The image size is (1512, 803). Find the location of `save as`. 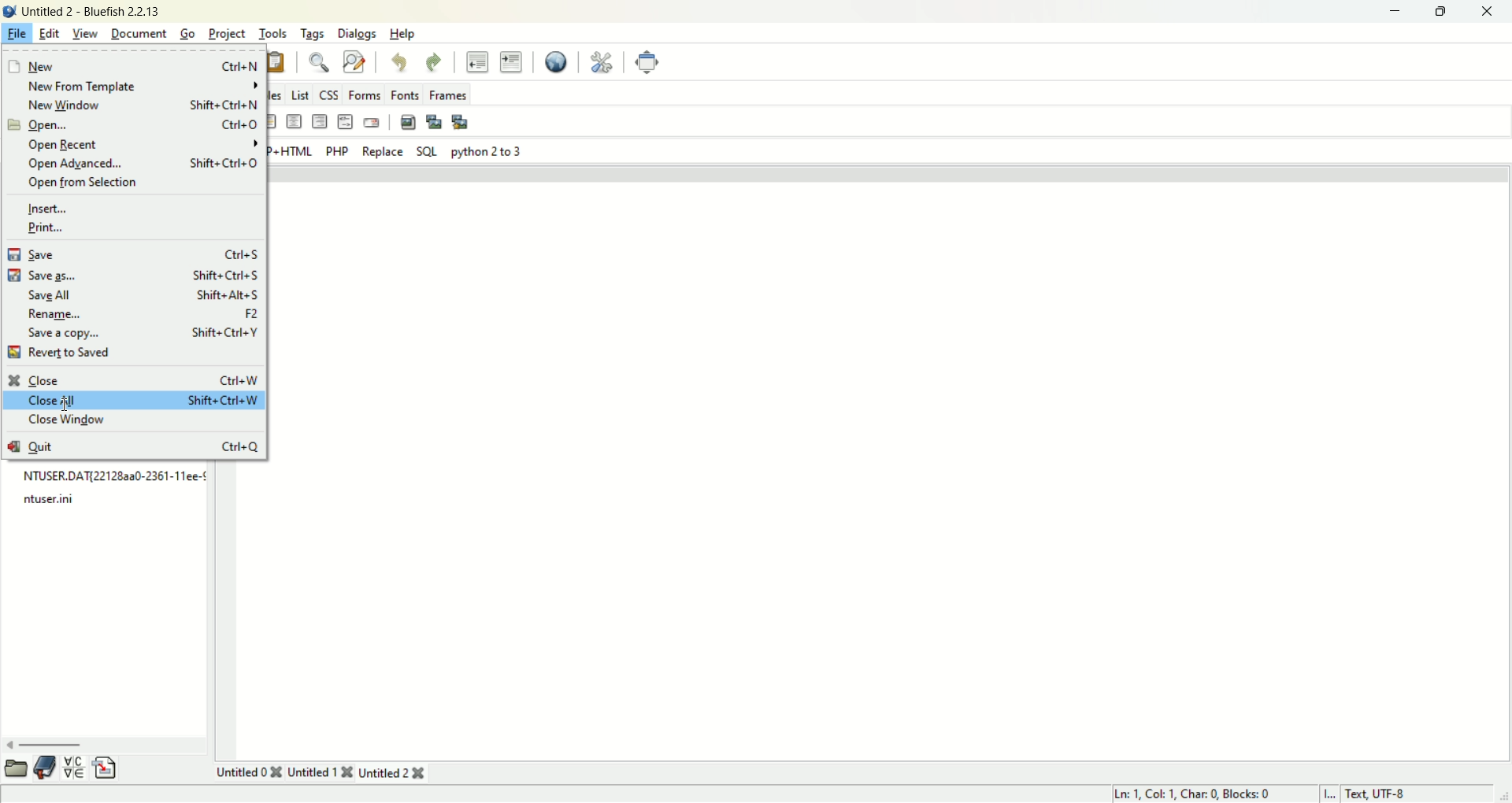

save as is located at coordinates (133, 274).